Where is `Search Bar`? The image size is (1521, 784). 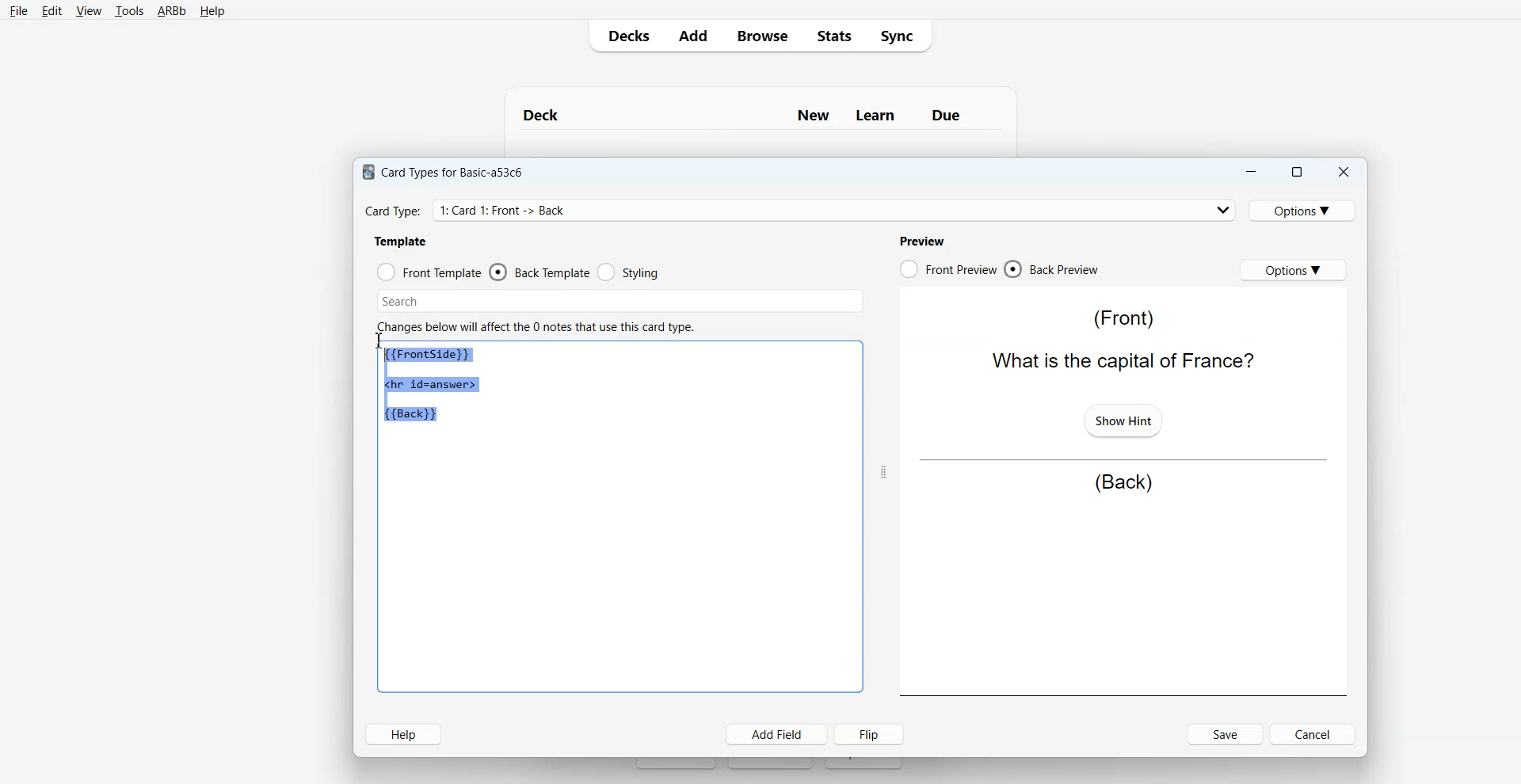
Search Bar is located at coordinates (620, 301).